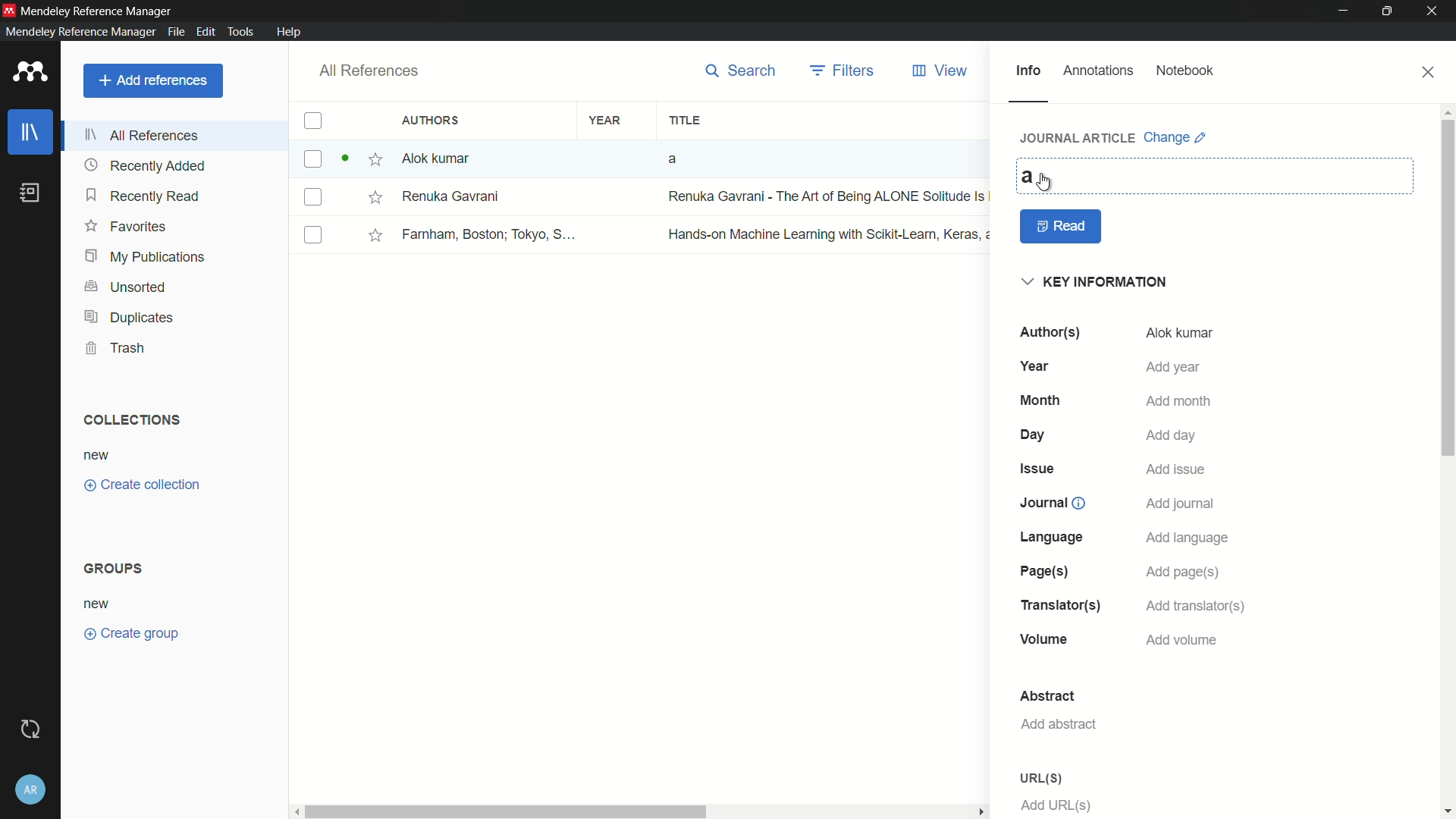  I want to click on year, so click(606, 121).